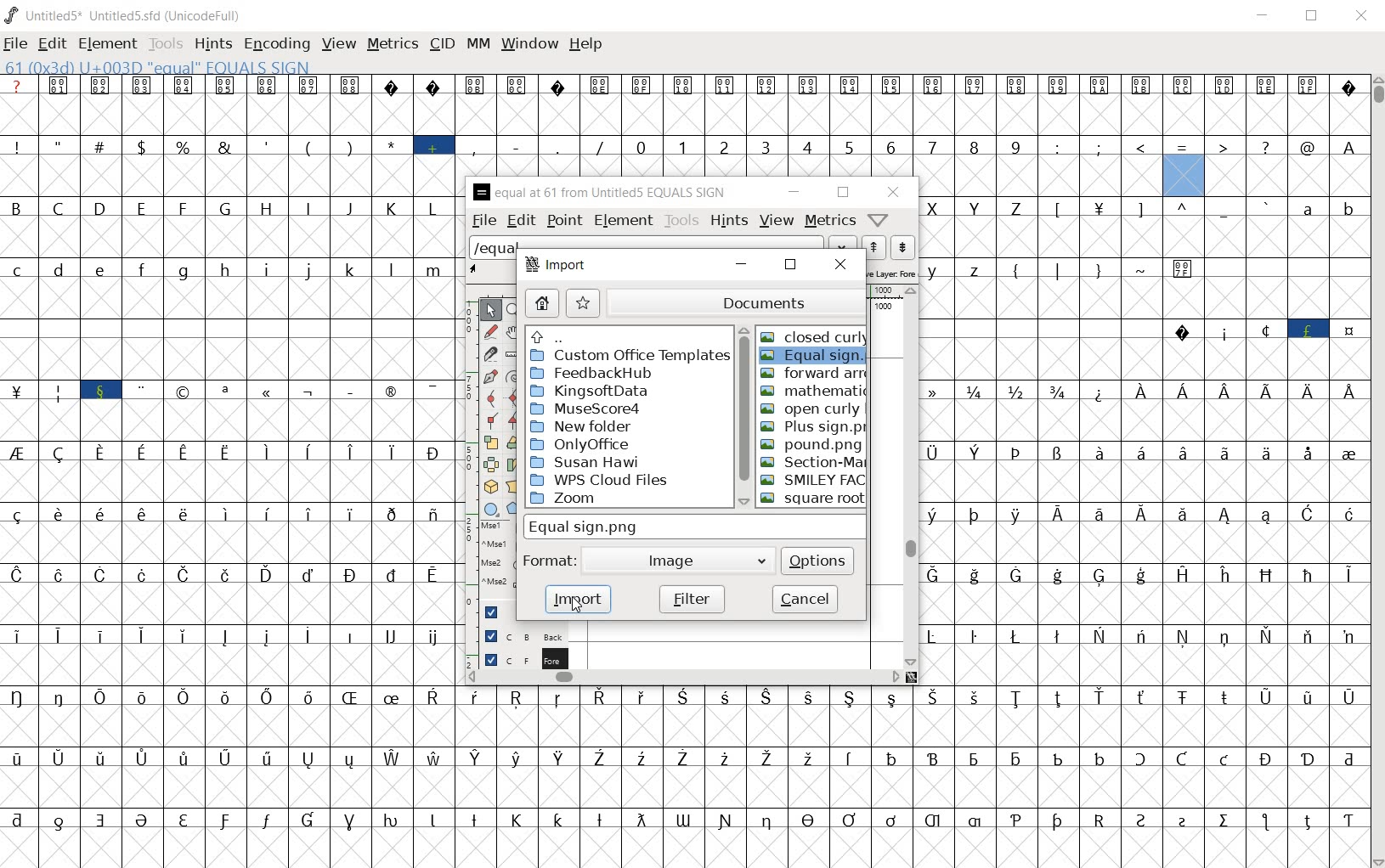 The image size is (1385, 868). What do you see at coordinates (629, 355) in the screenshot?
I see `custom office template` at bounding box center [629, 355].